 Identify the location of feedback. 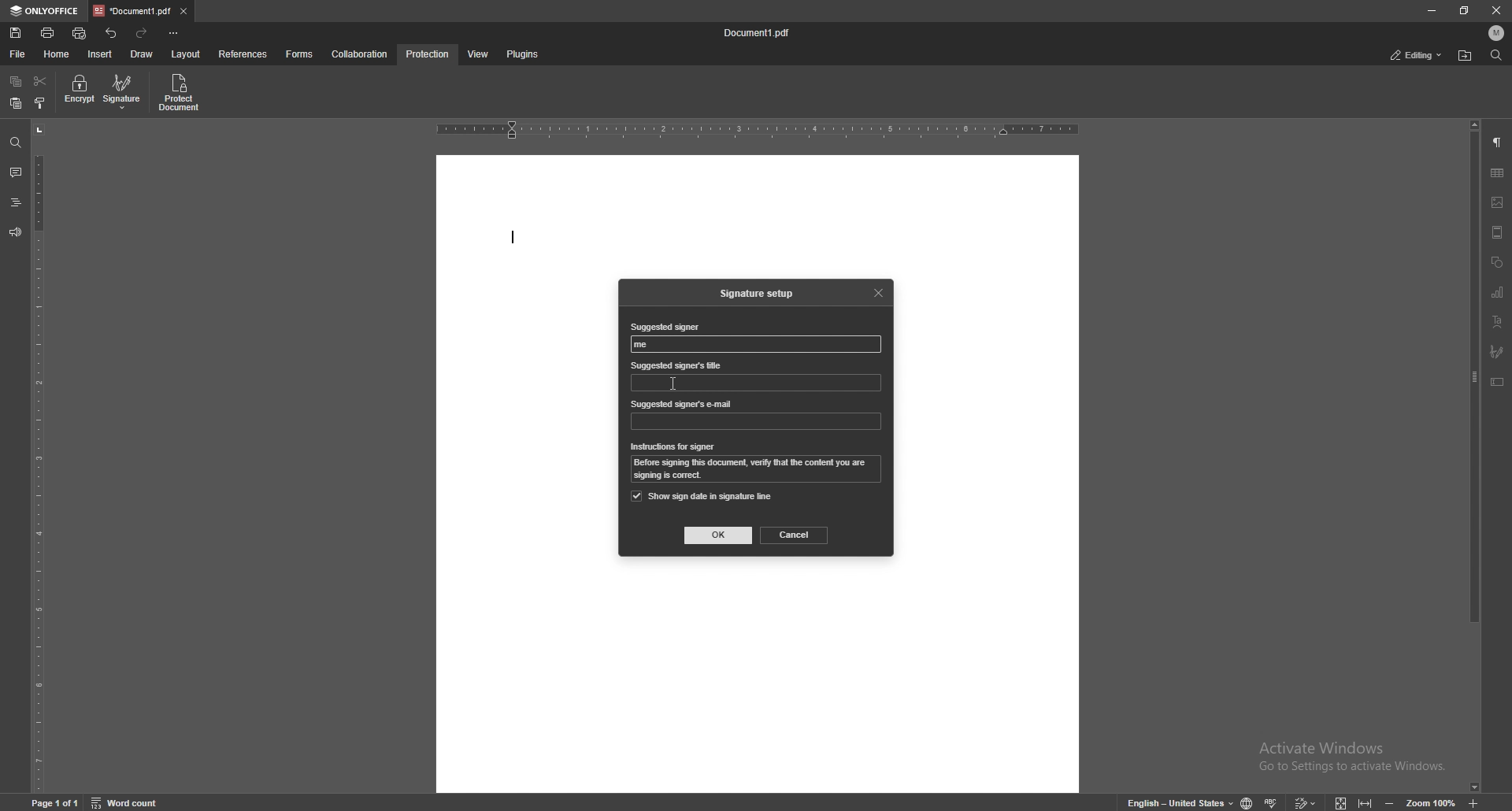
(14, 232).